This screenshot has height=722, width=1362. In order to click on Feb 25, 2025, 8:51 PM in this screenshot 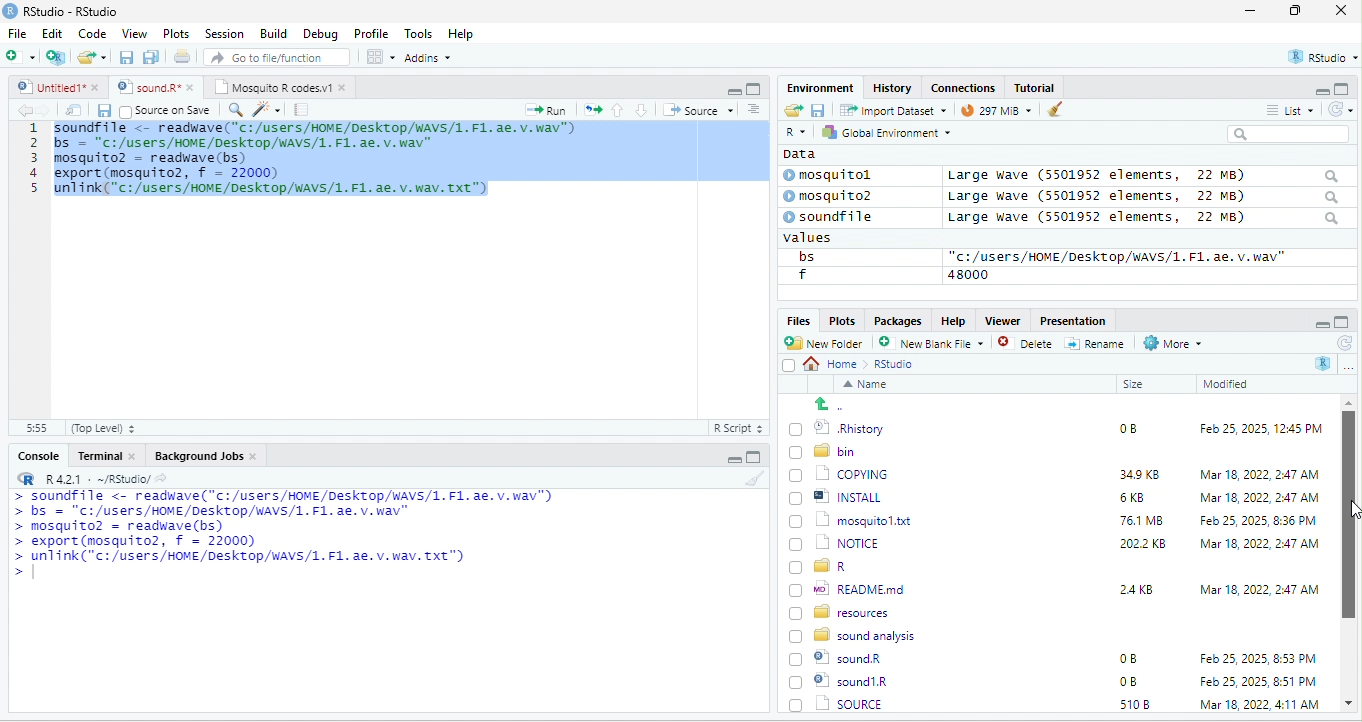, I will do `click(1259, 659)`.